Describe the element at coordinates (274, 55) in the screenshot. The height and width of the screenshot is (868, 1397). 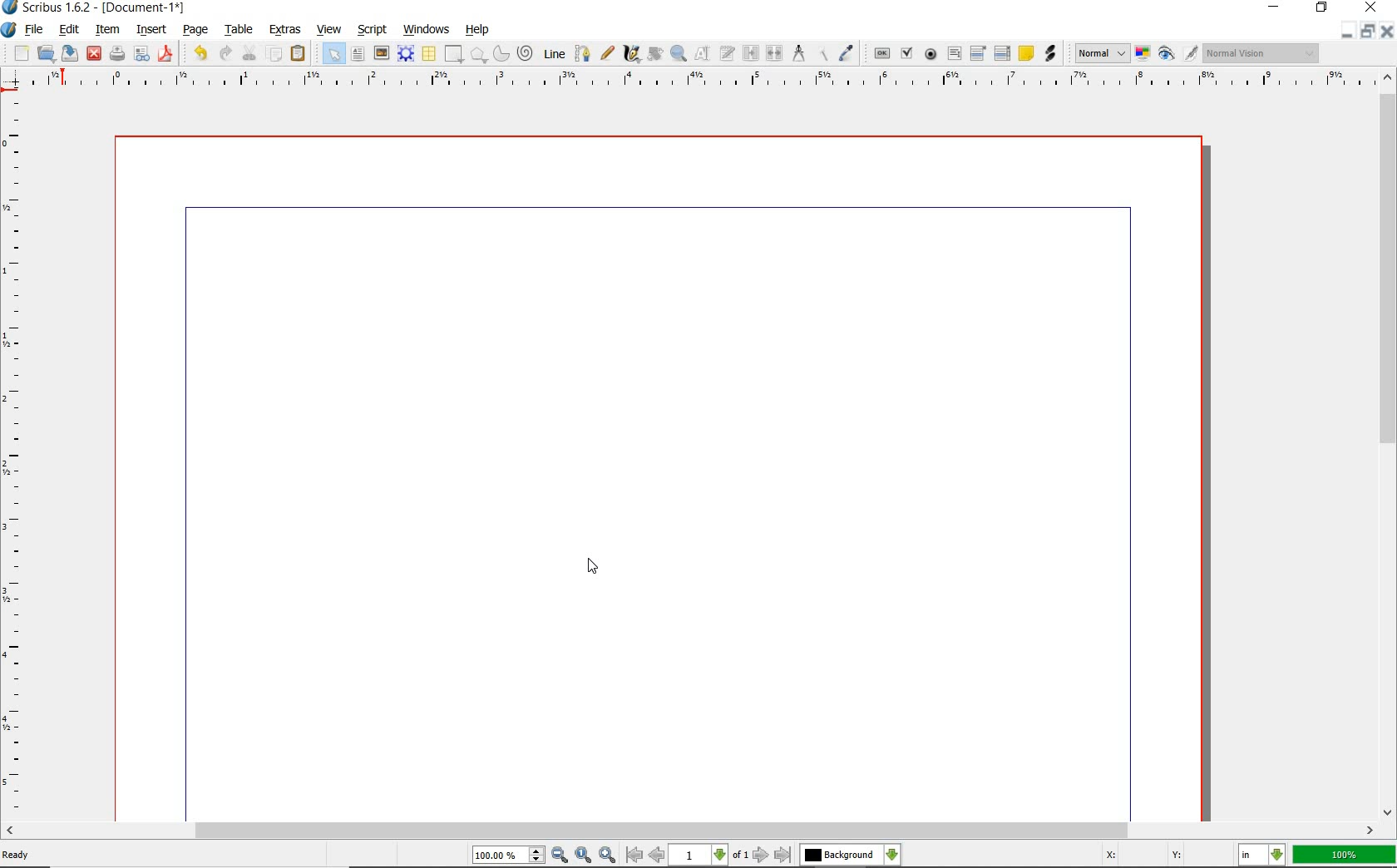
I see `copy` at that location.